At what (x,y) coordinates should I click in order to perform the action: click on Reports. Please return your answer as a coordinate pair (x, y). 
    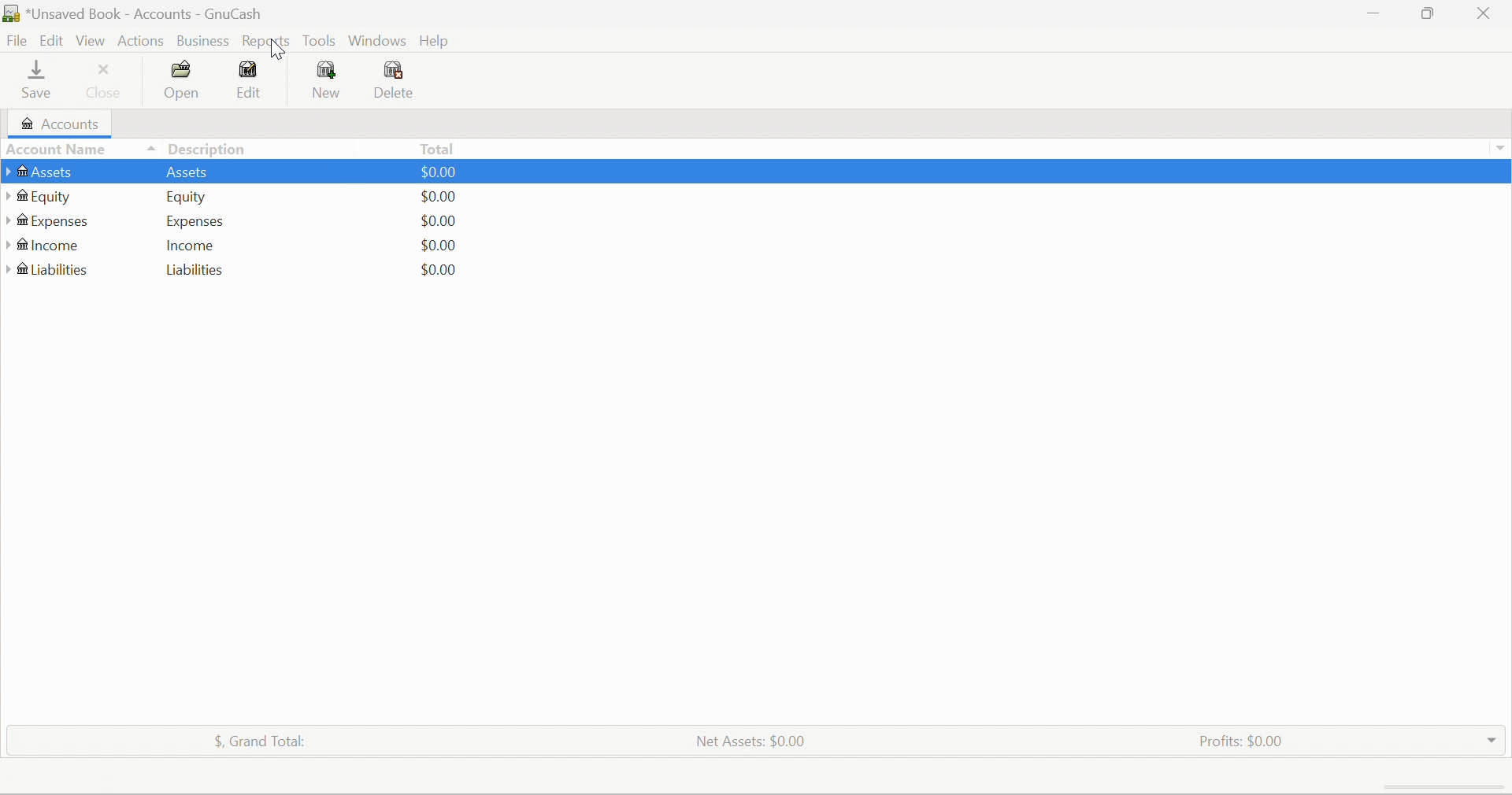
    Looking at the image, I should click on (268, 40).